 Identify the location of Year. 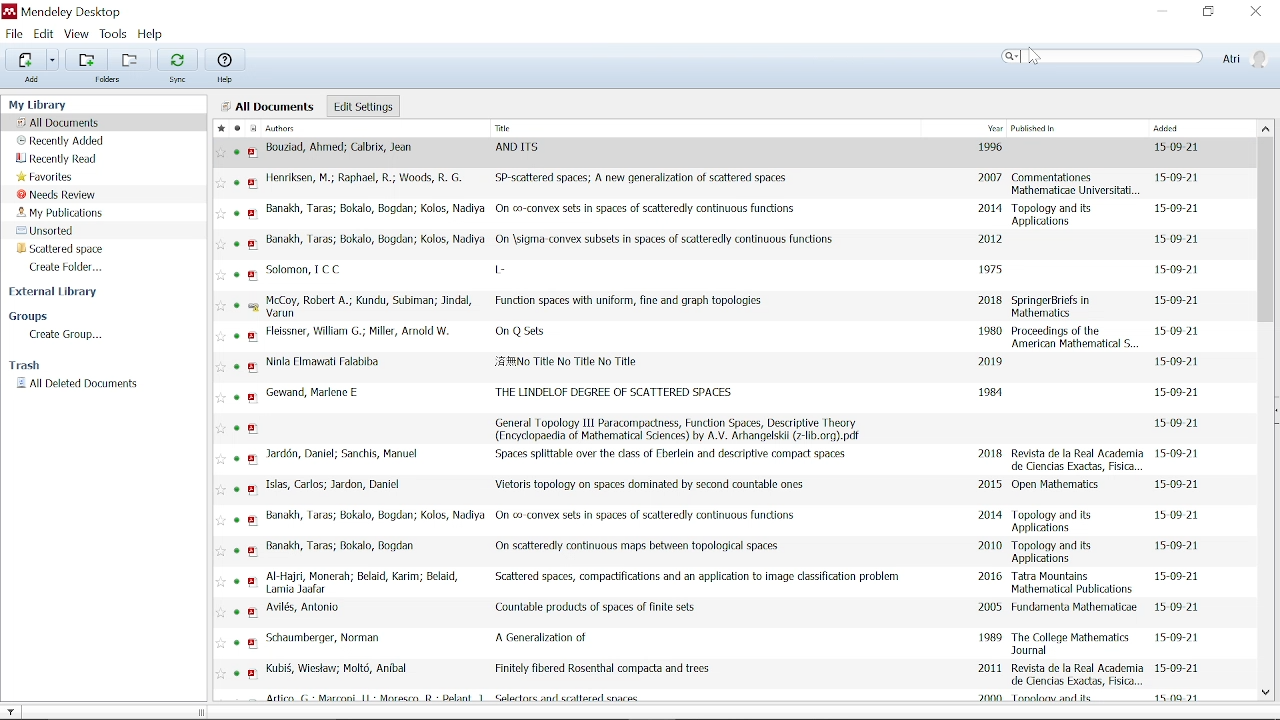
(995, 127).